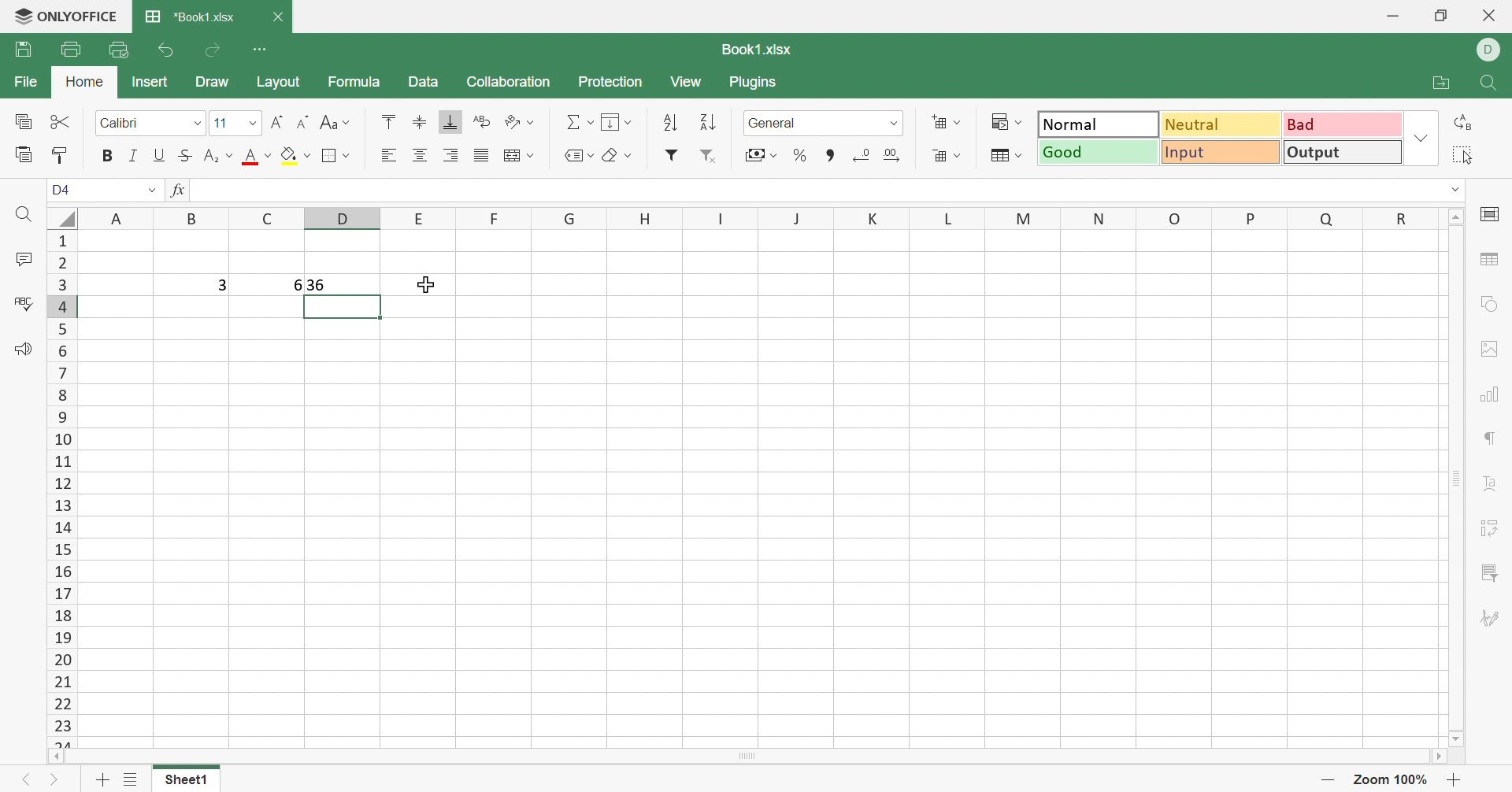 Image resolution: width=1512 pixels, height=792 pixels. Describe the element at coordinates (277, 124) in the screenshot. I see `Increment font size` at that location.